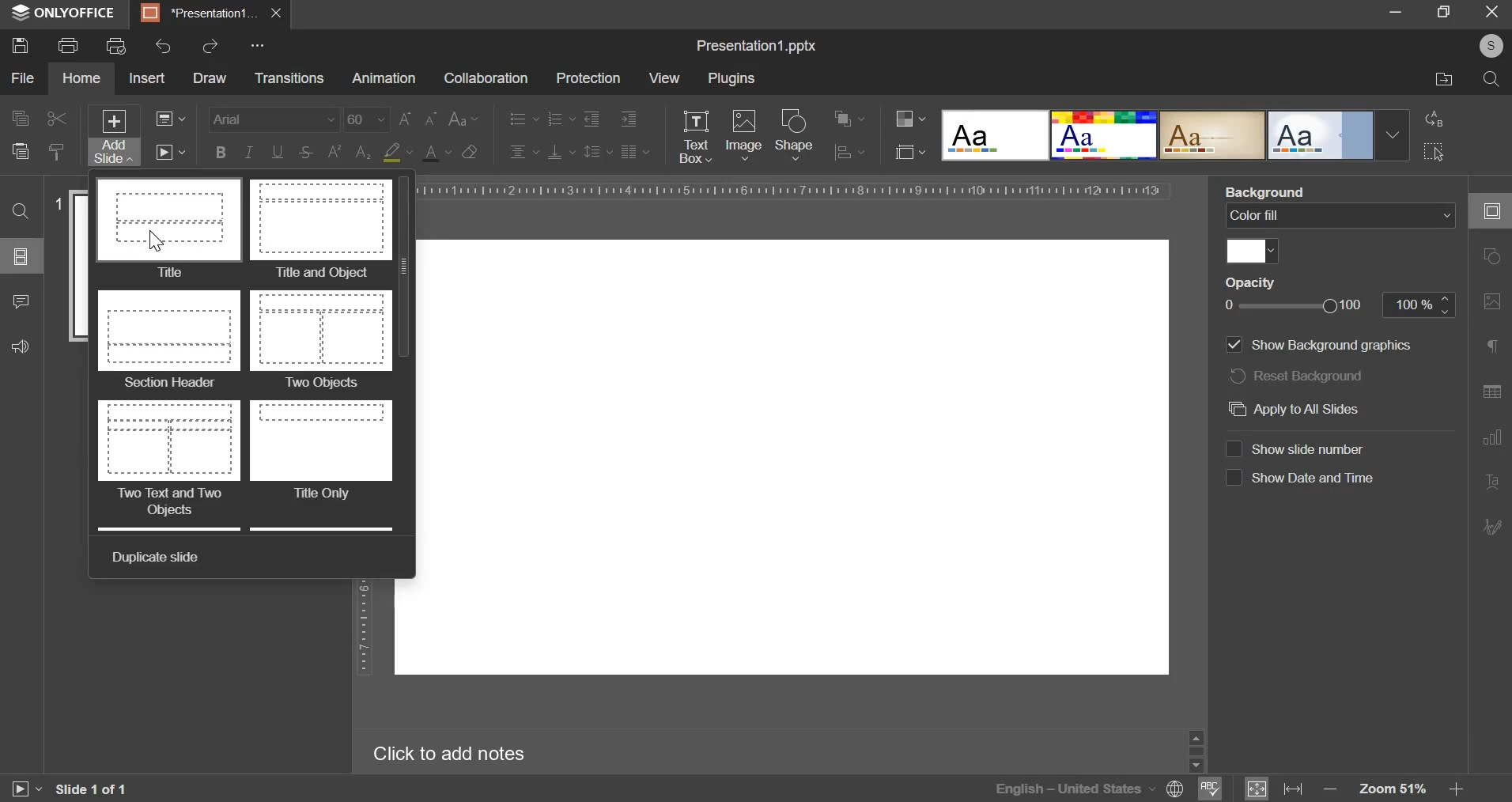 The image size is (1512, 802). What do you see at coordinates (1492, 437) in the screenshot?
I see `chart settings` at bounding box center [1492, 437].